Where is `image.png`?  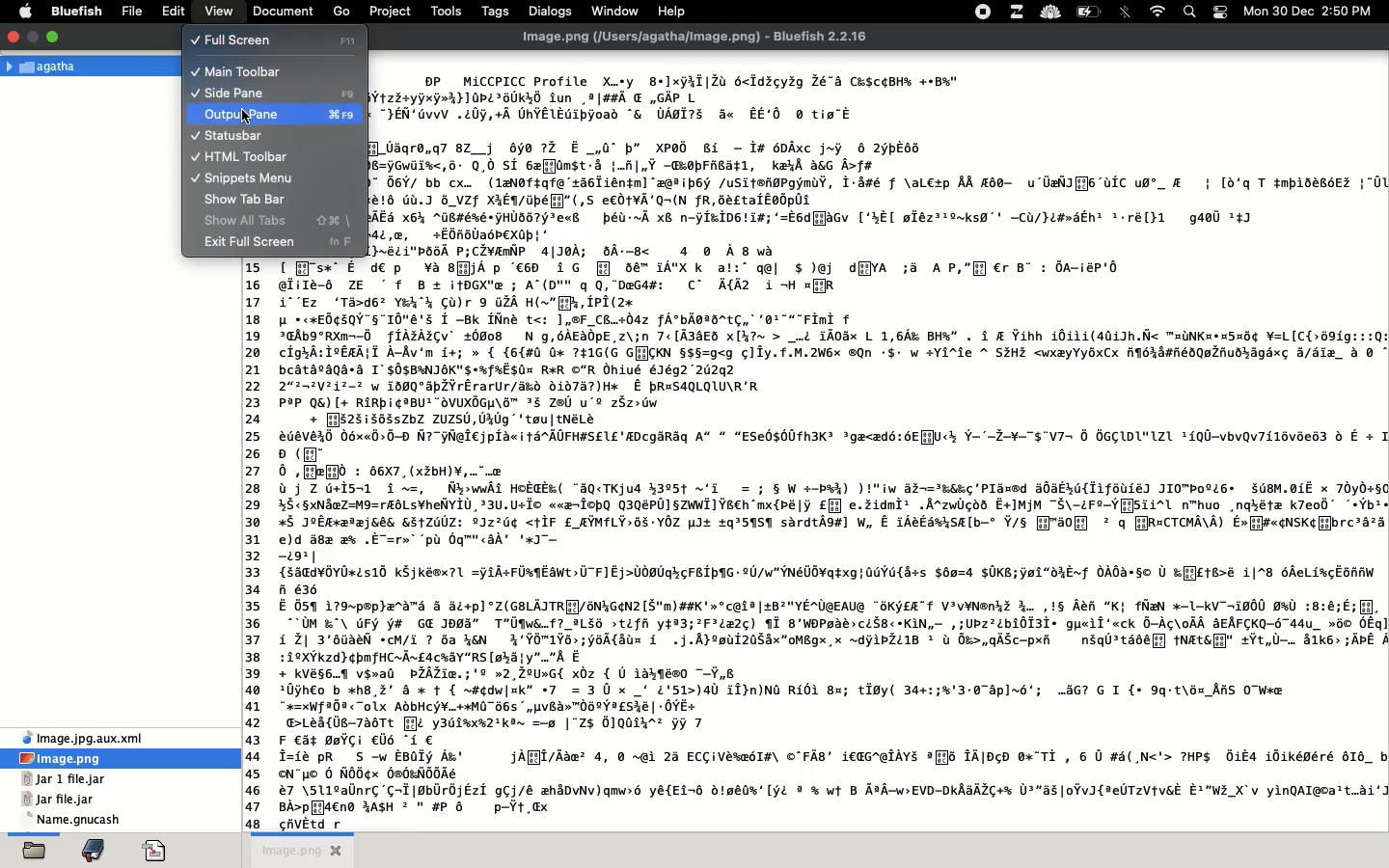
image.png is located at coordinates (63, 759).